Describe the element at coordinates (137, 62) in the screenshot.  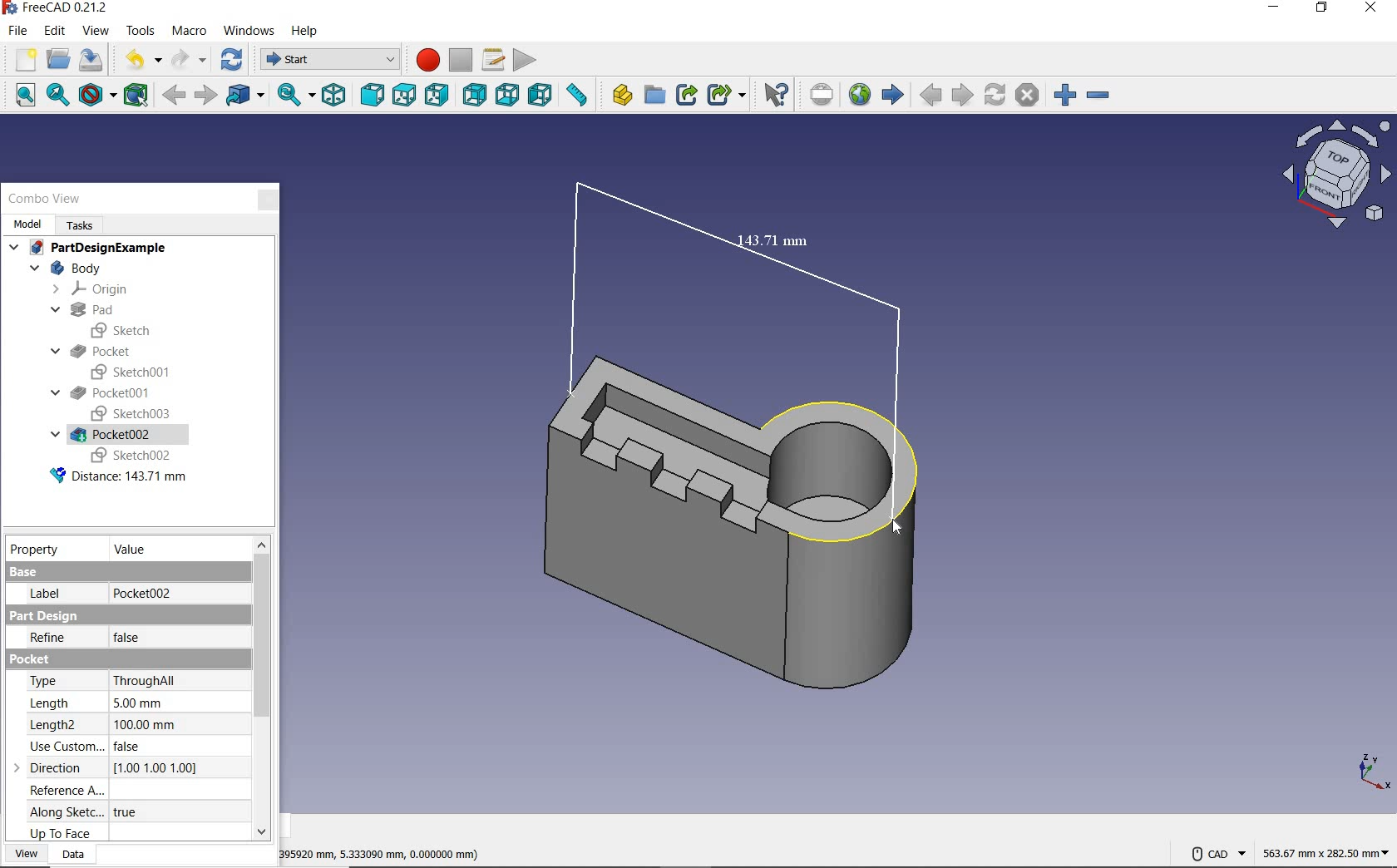
I see `undo` at that location.